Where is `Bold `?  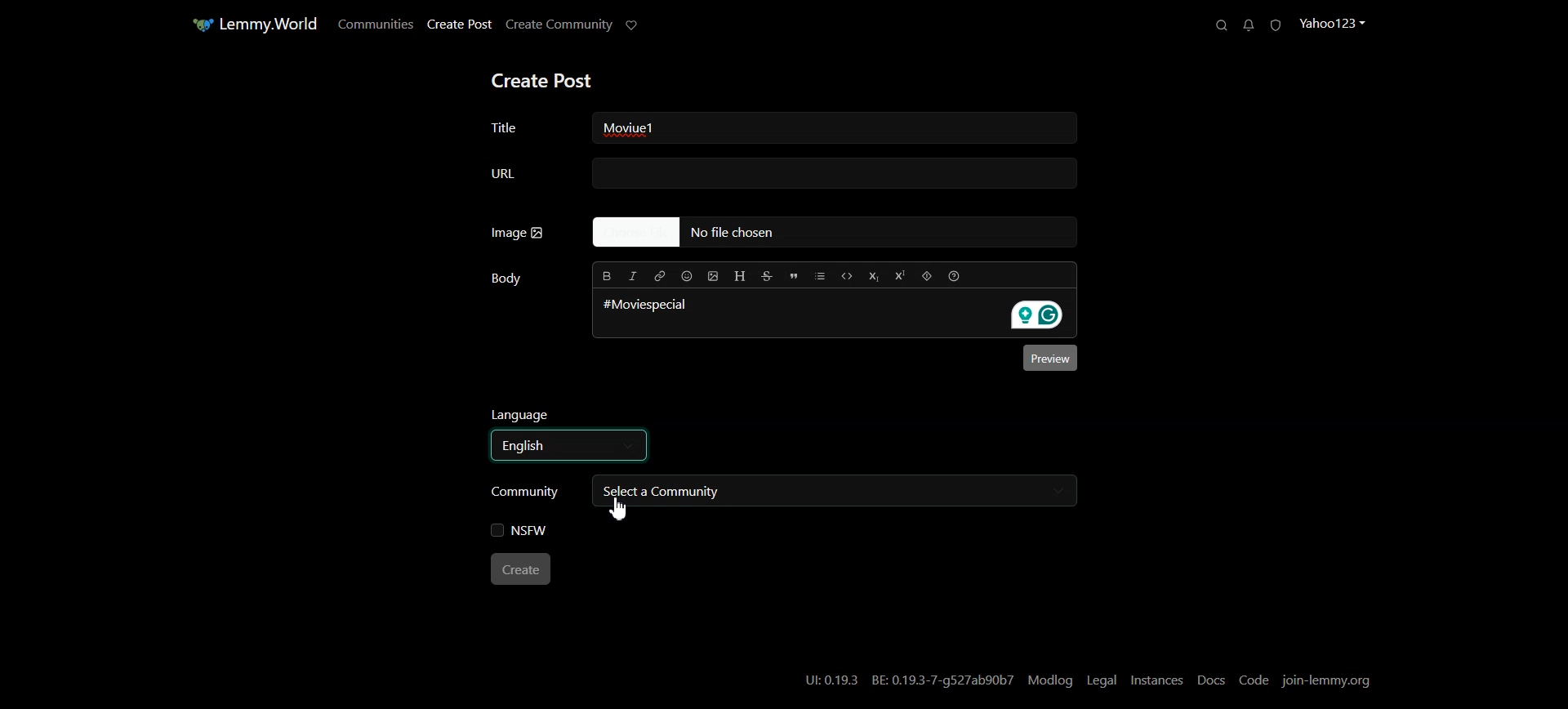
Bold  is located at coordinates (607, 275).